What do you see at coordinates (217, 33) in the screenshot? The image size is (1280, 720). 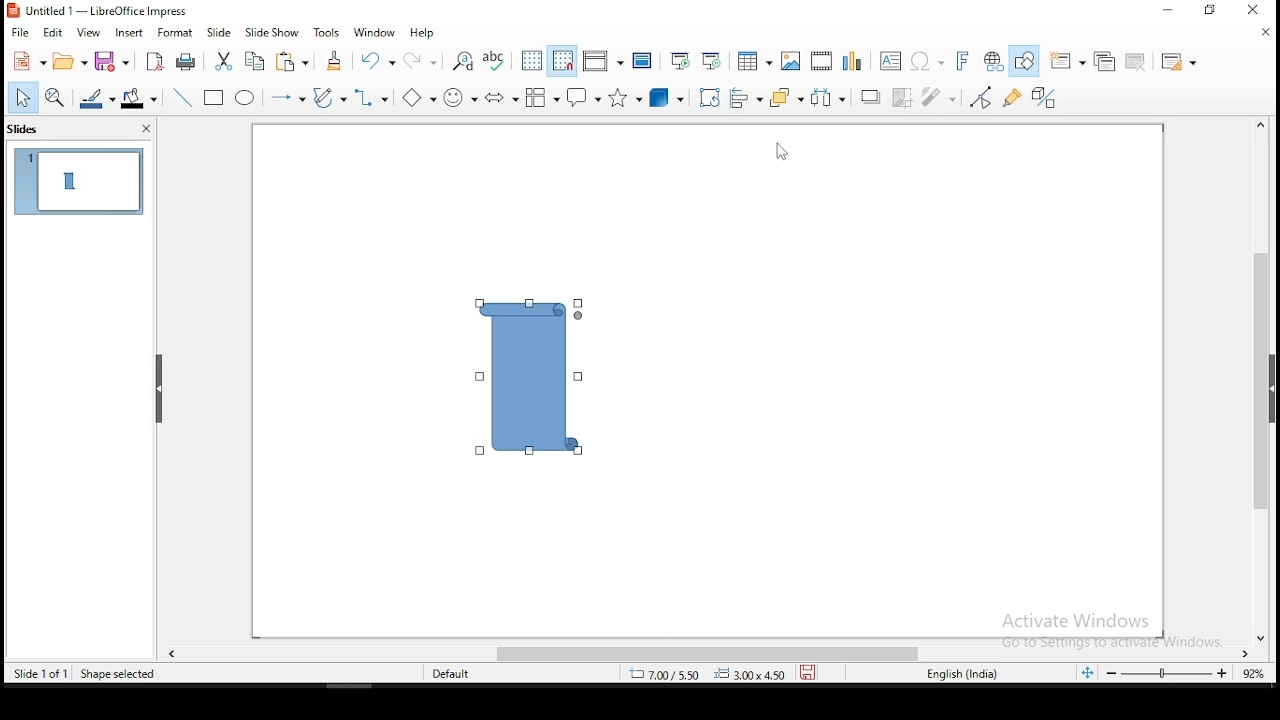 I see `slide` at bounding box center [217, 33].